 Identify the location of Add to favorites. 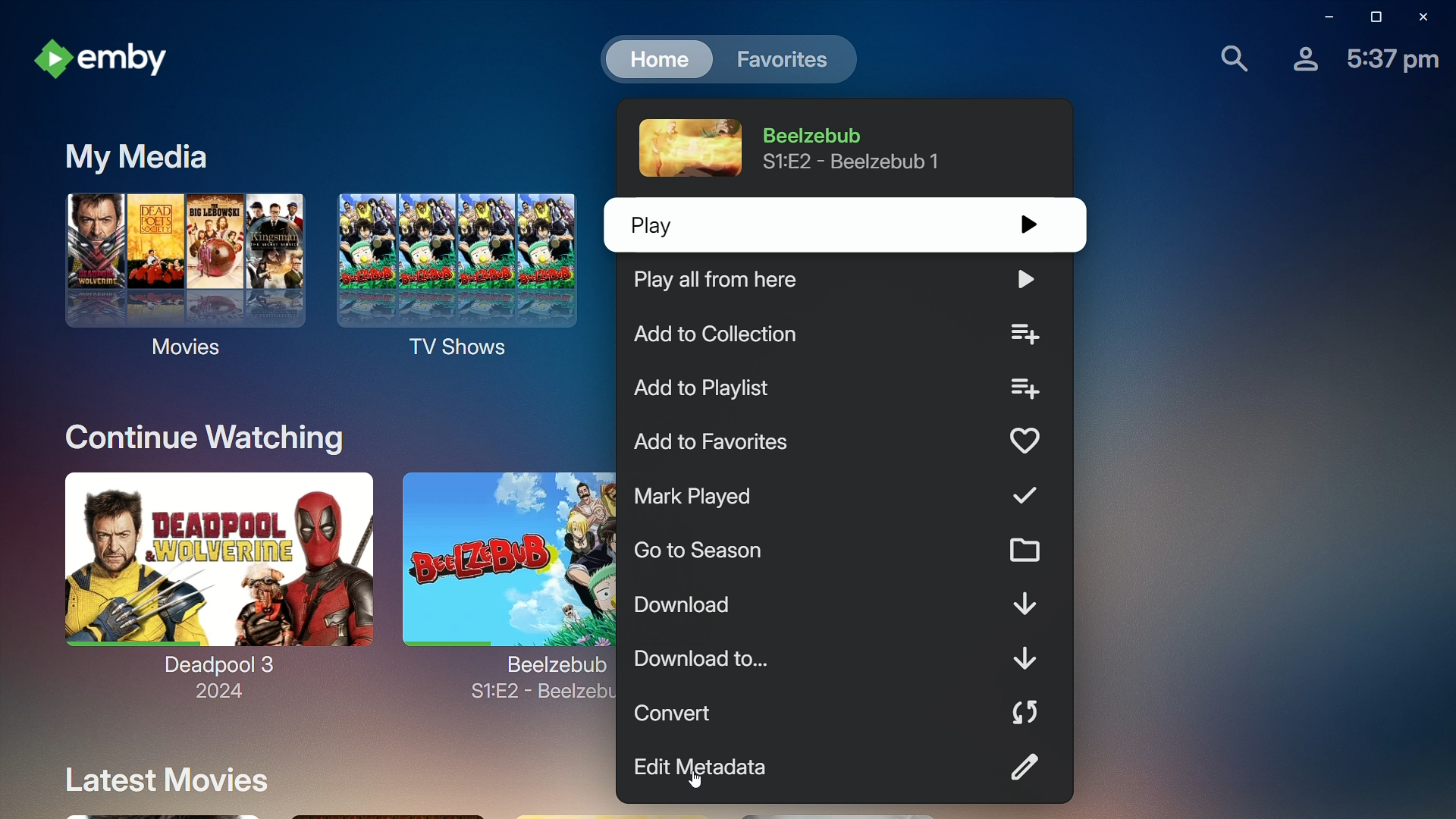
(835, 444).